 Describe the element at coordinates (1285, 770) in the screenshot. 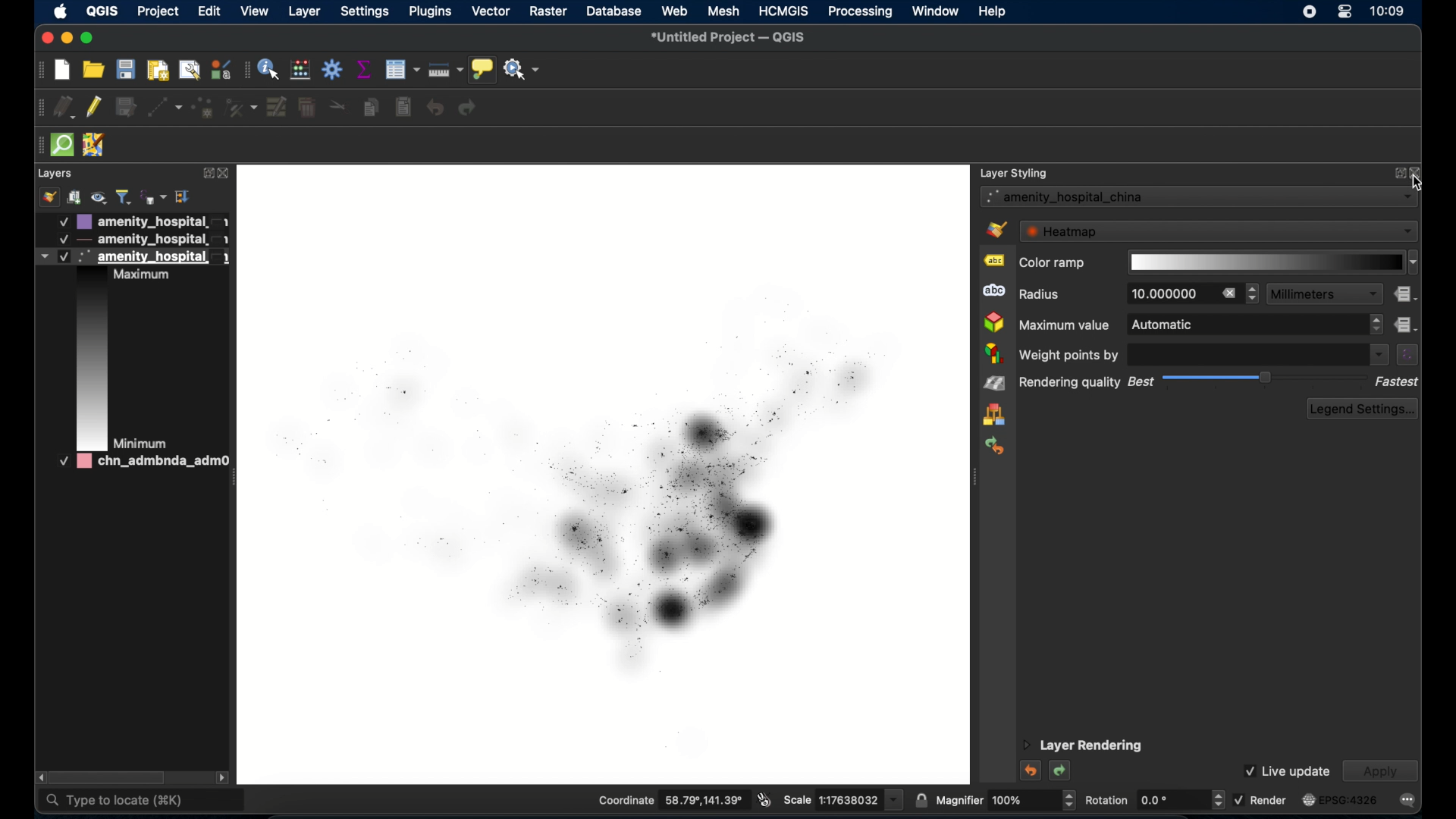

I see `live updatecheckbox` at that location.